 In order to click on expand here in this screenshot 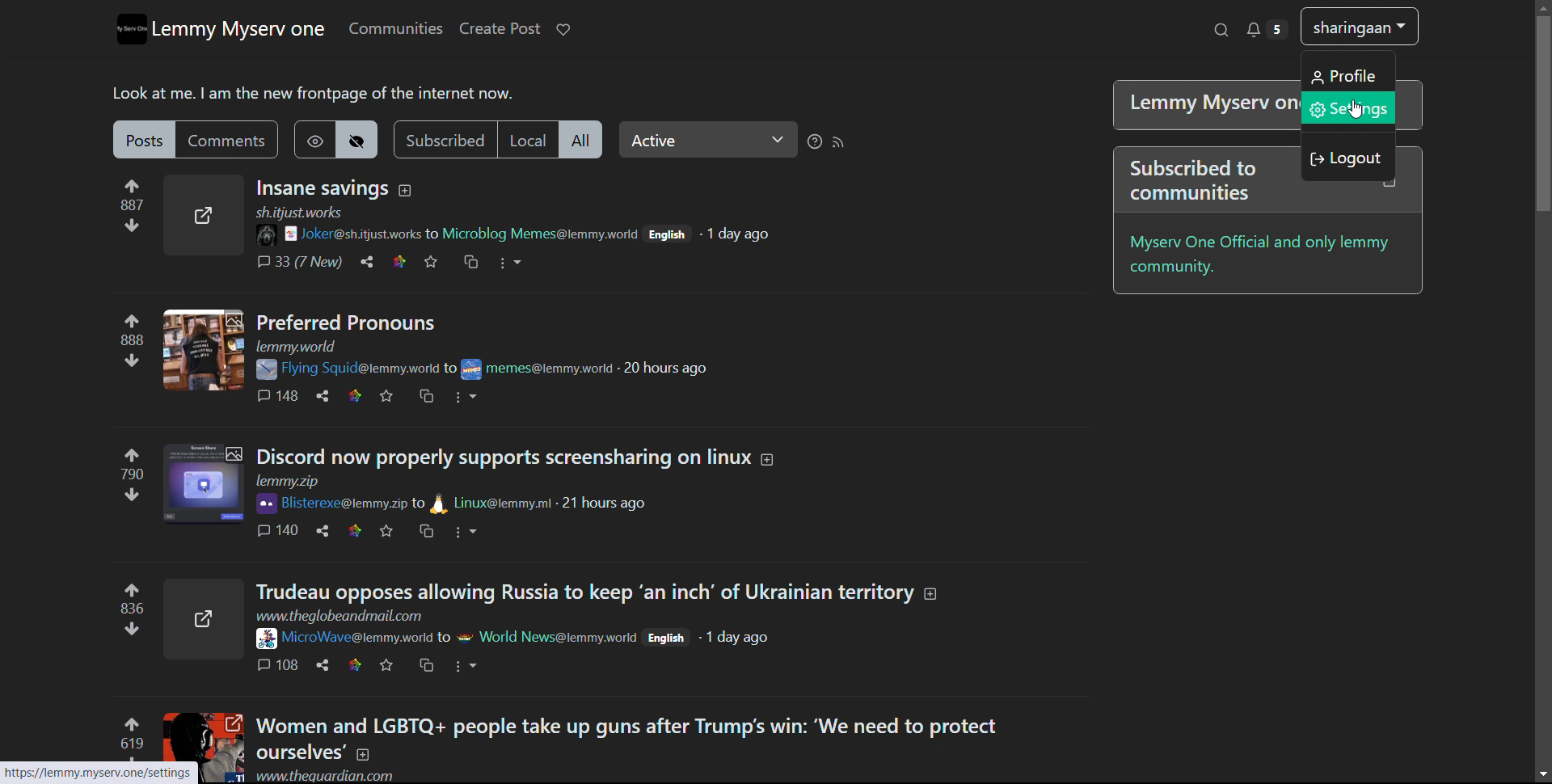, I will do `click(202, 620)`.